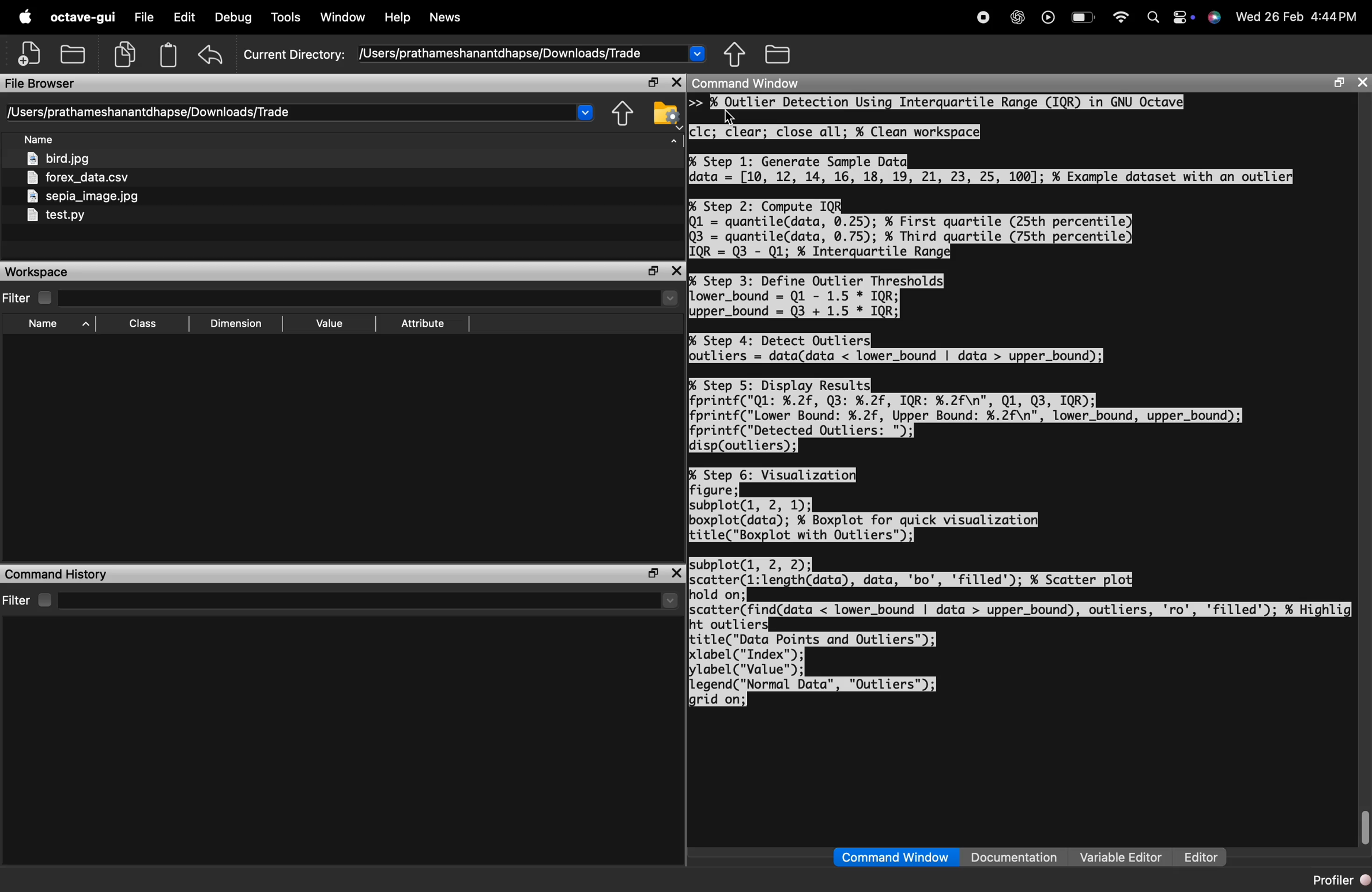  I want to click on close, so click(676, 271).